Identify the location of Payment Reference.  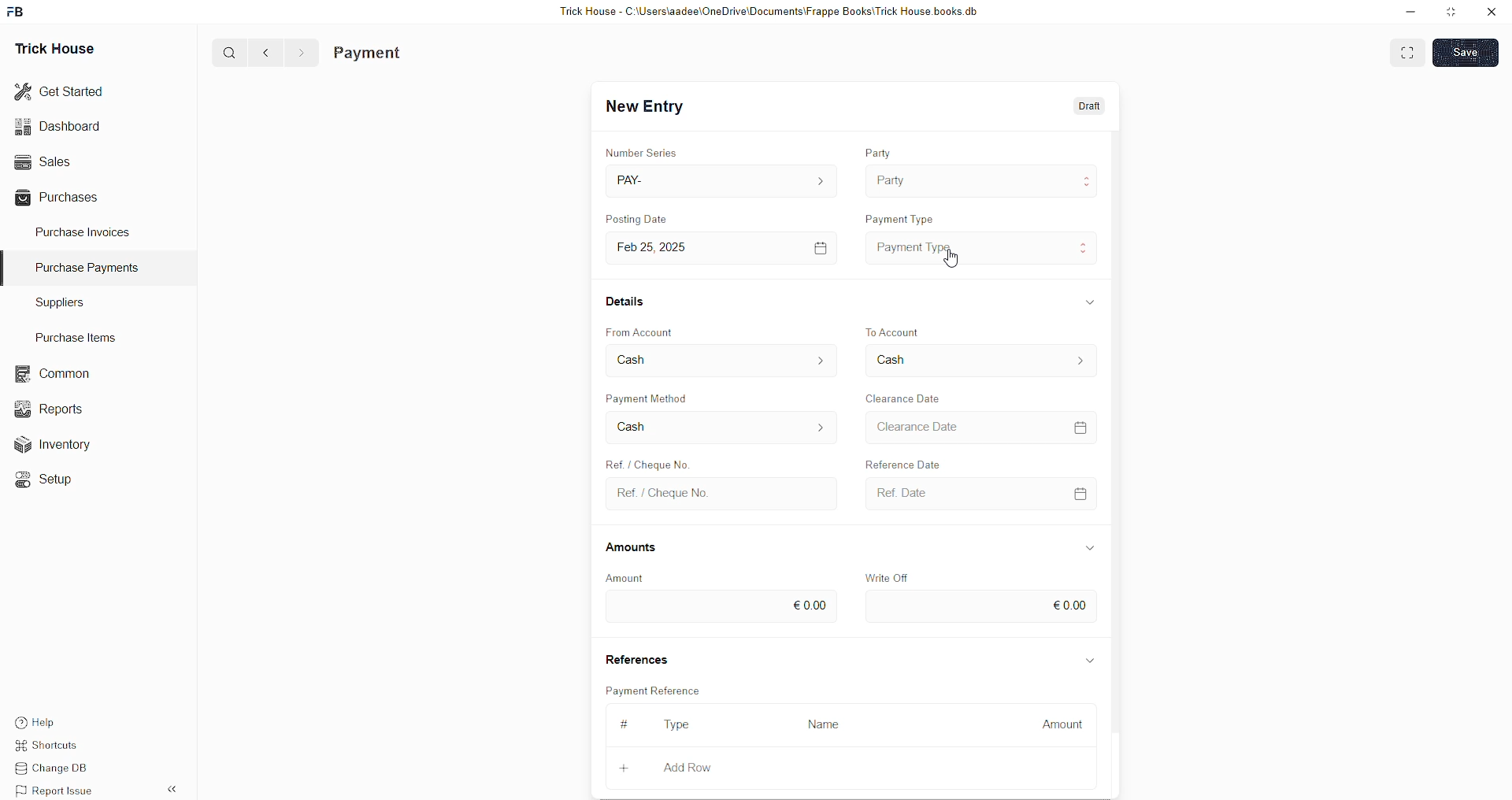
(661, 689).